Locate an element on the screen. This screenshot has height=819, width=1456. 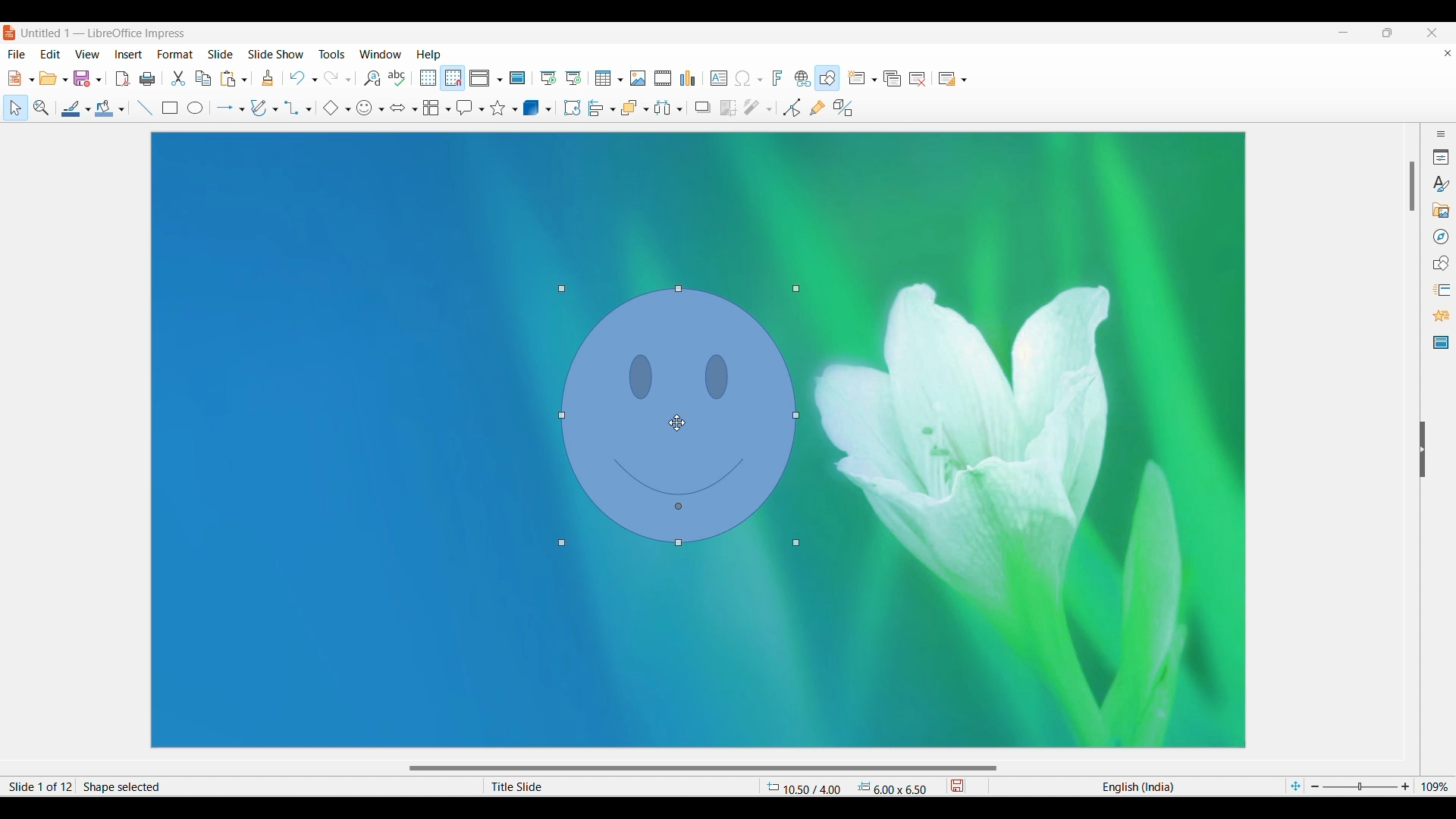
New document options is located at coordinates (31, 80).